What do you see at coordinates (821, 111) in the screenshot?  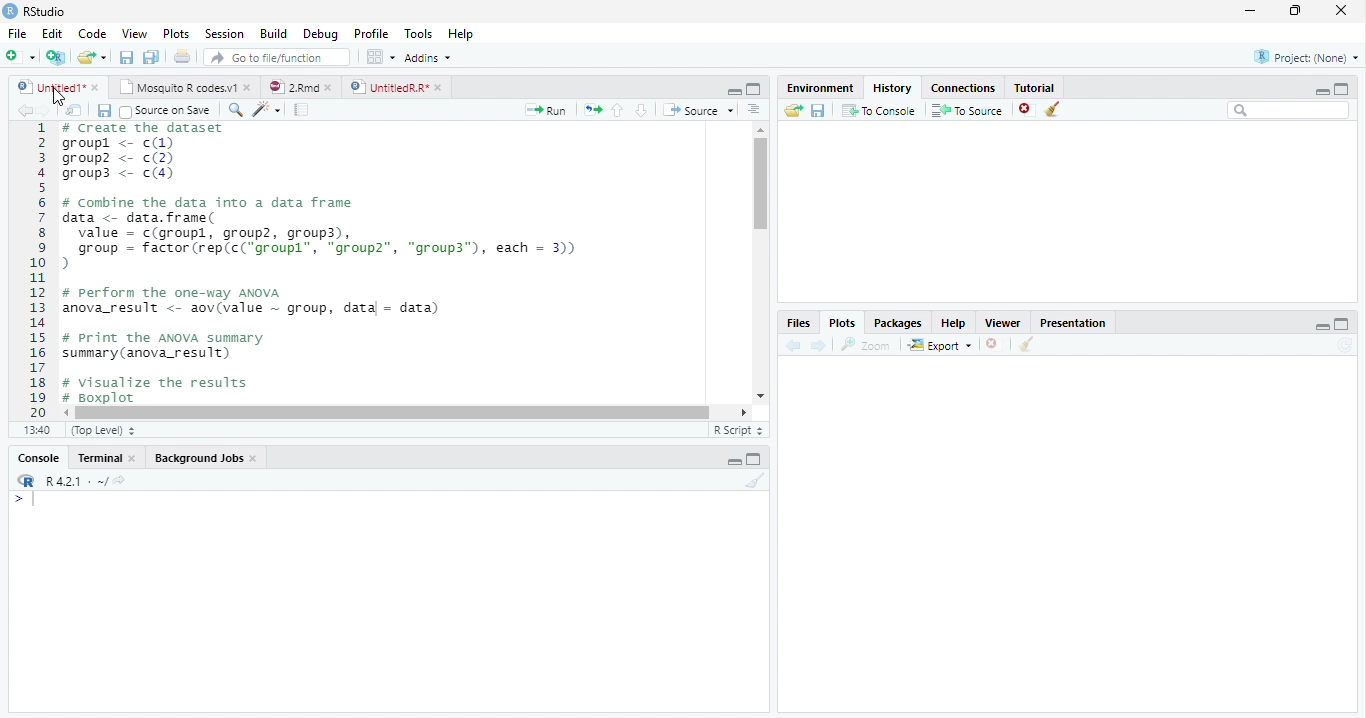 I see `Save workspace as ` at bounding box center [821, 111].